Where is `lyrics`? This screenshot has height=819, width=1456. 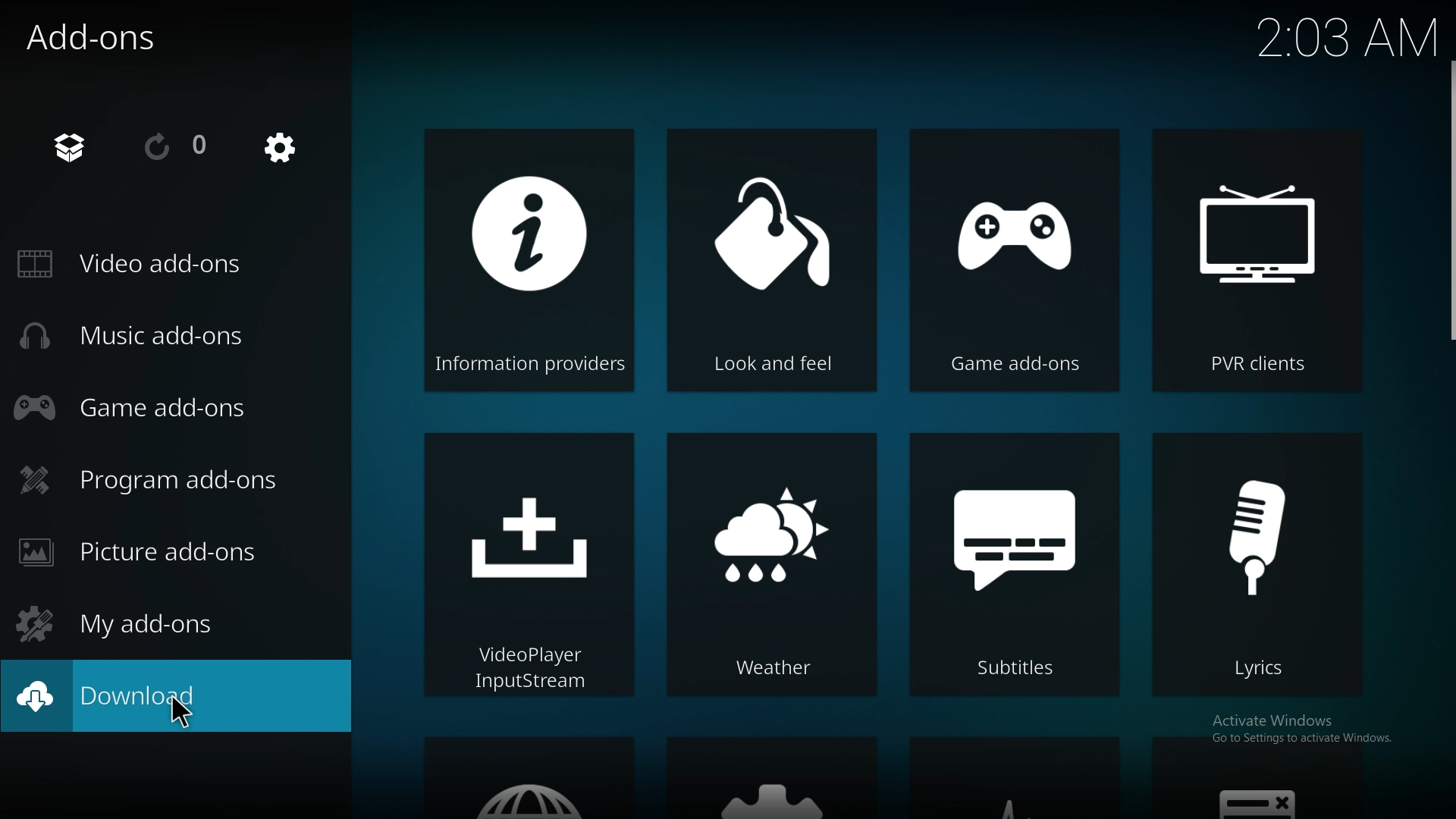 lyrics is located at coordinates (1256, 563).